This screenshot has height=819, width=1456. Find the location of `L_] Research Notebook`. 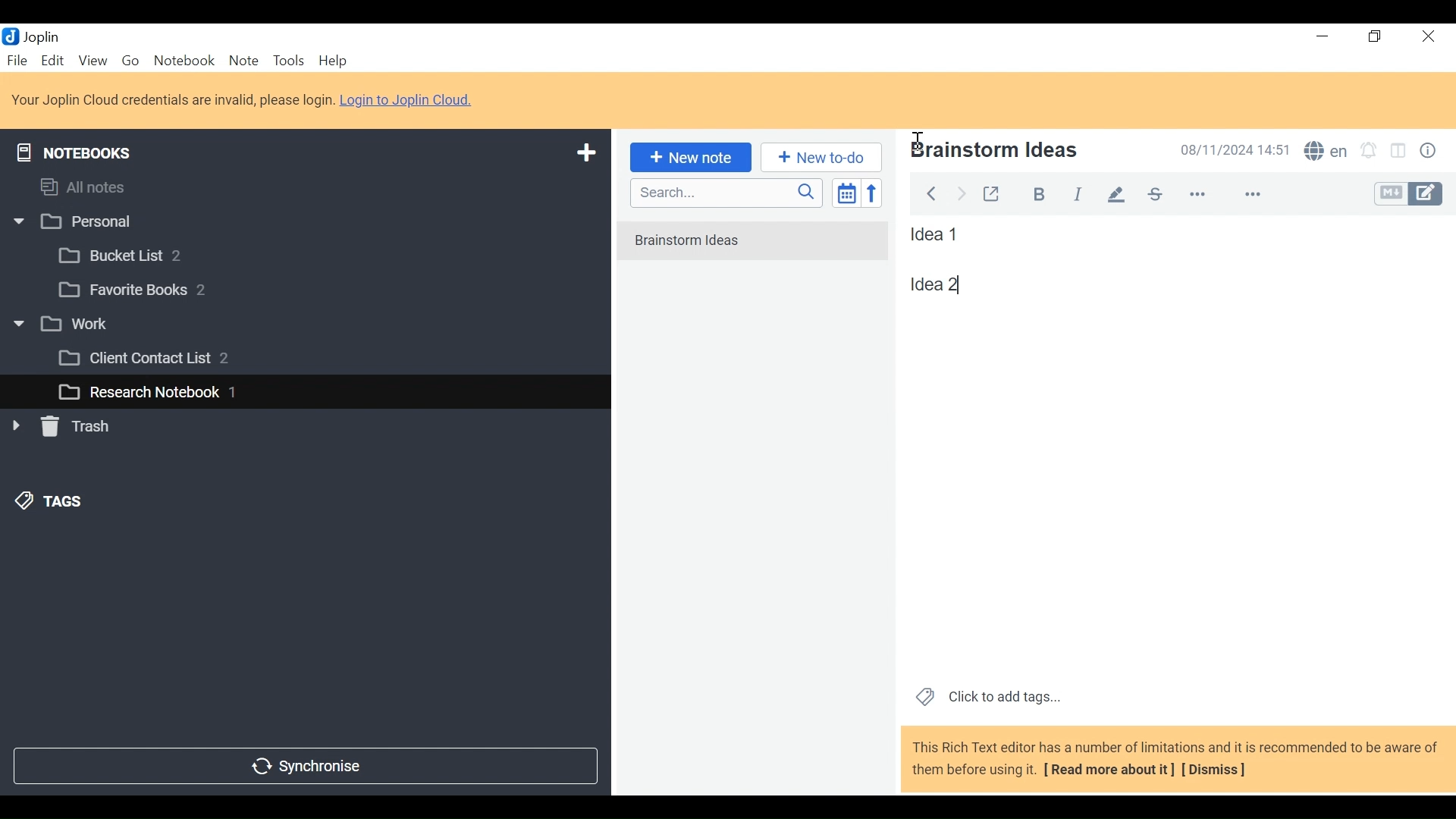

L_] Research Notebook is located at coordinates (138, 393).